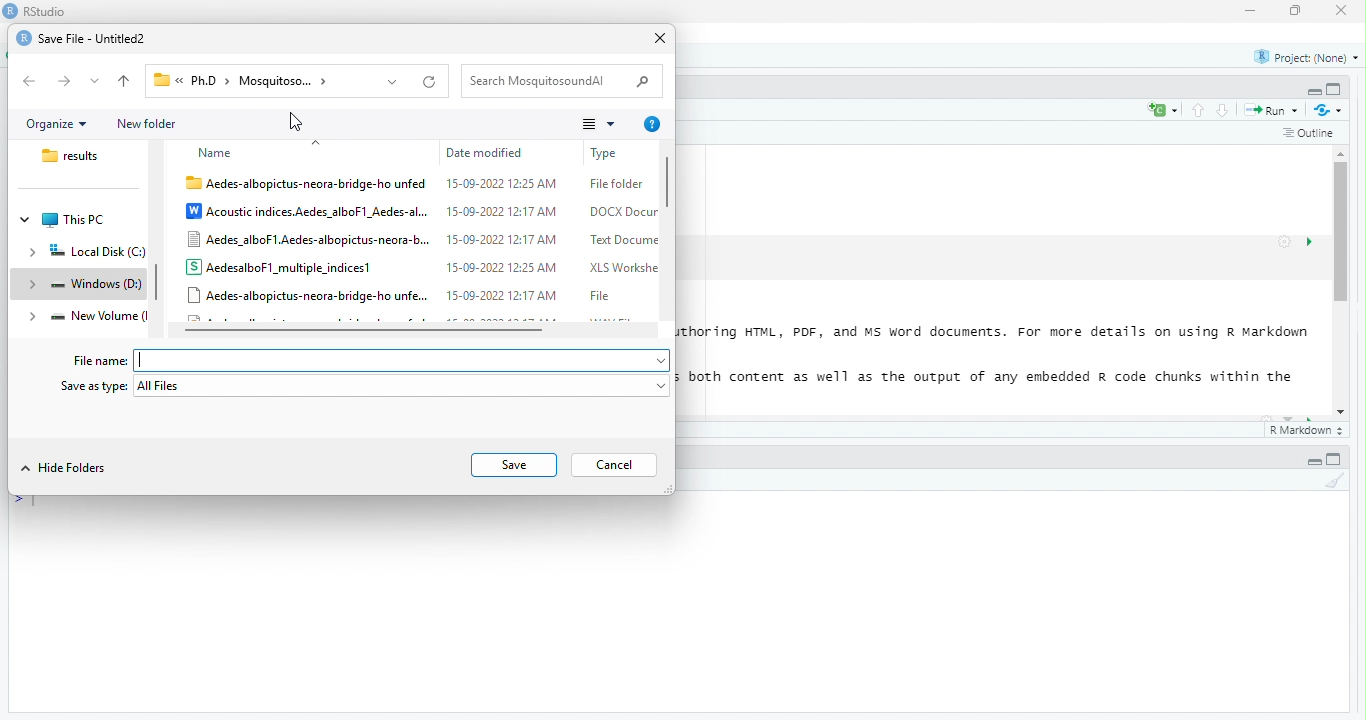 The image size is (1366, 720). Describe the element at coordinates (11, 10) in the screenshot. I see `logo` at that location.